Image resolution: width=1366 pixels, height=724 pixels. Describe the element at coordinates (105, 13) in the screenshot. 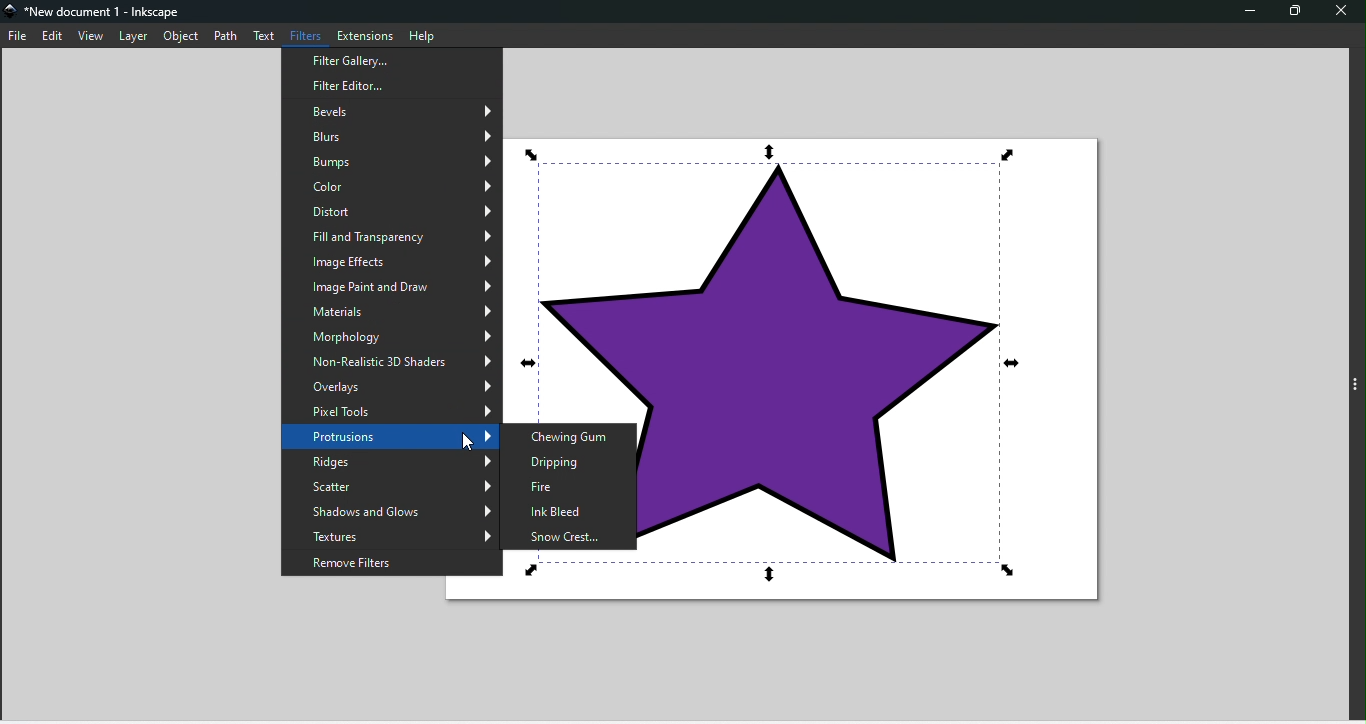

I see `*New document 1 - Inkscape` at that location.